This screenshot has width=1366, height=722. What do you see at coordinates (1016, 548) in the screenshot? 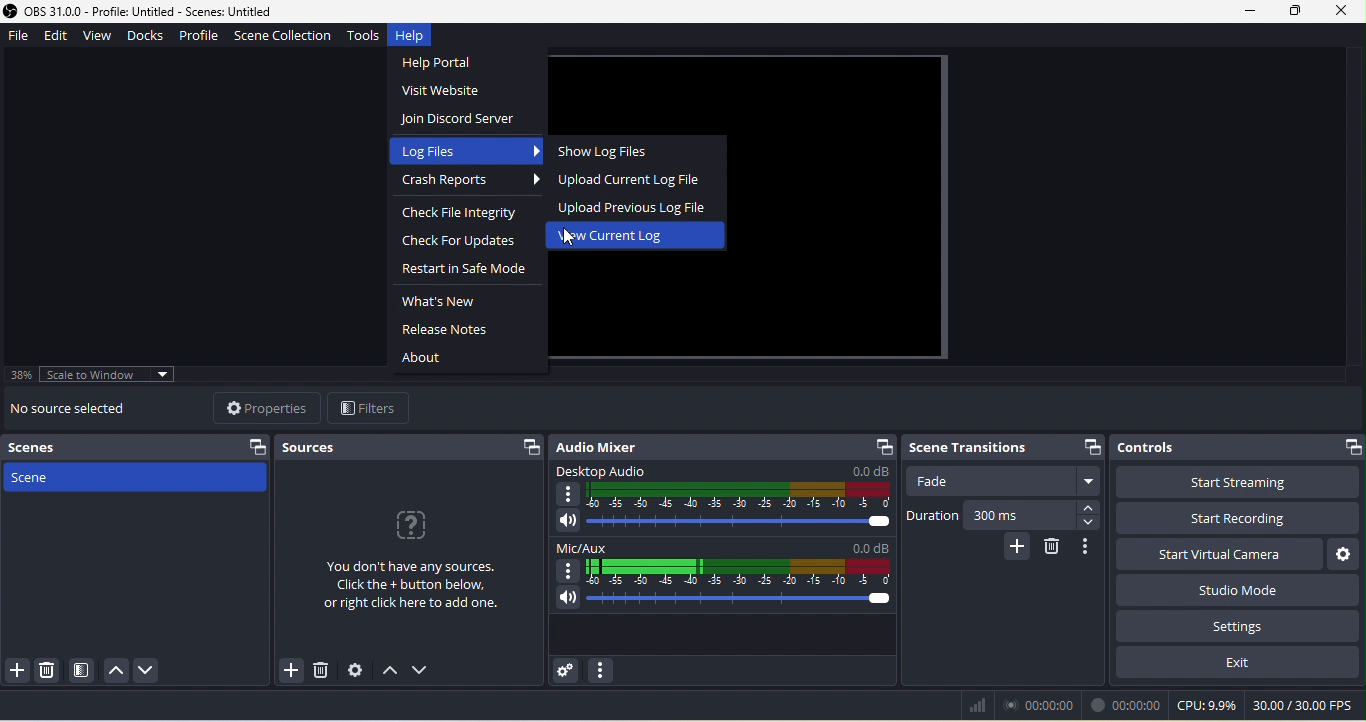
I see `add configurable transition` at bounding box center [1016, 548].